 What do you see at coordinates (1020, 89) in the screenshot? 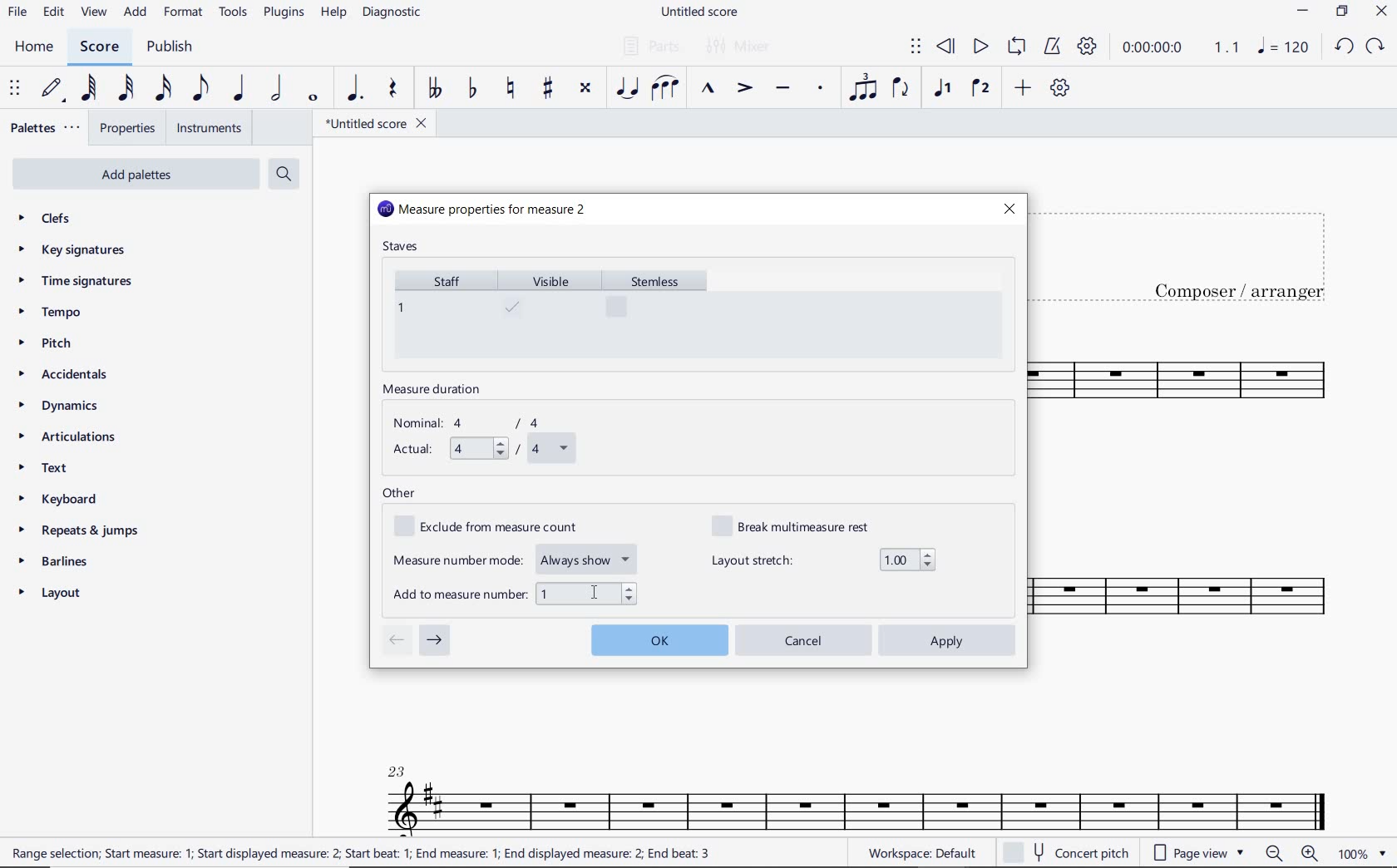
I see `ADD` at bounding box center [1020, 89].